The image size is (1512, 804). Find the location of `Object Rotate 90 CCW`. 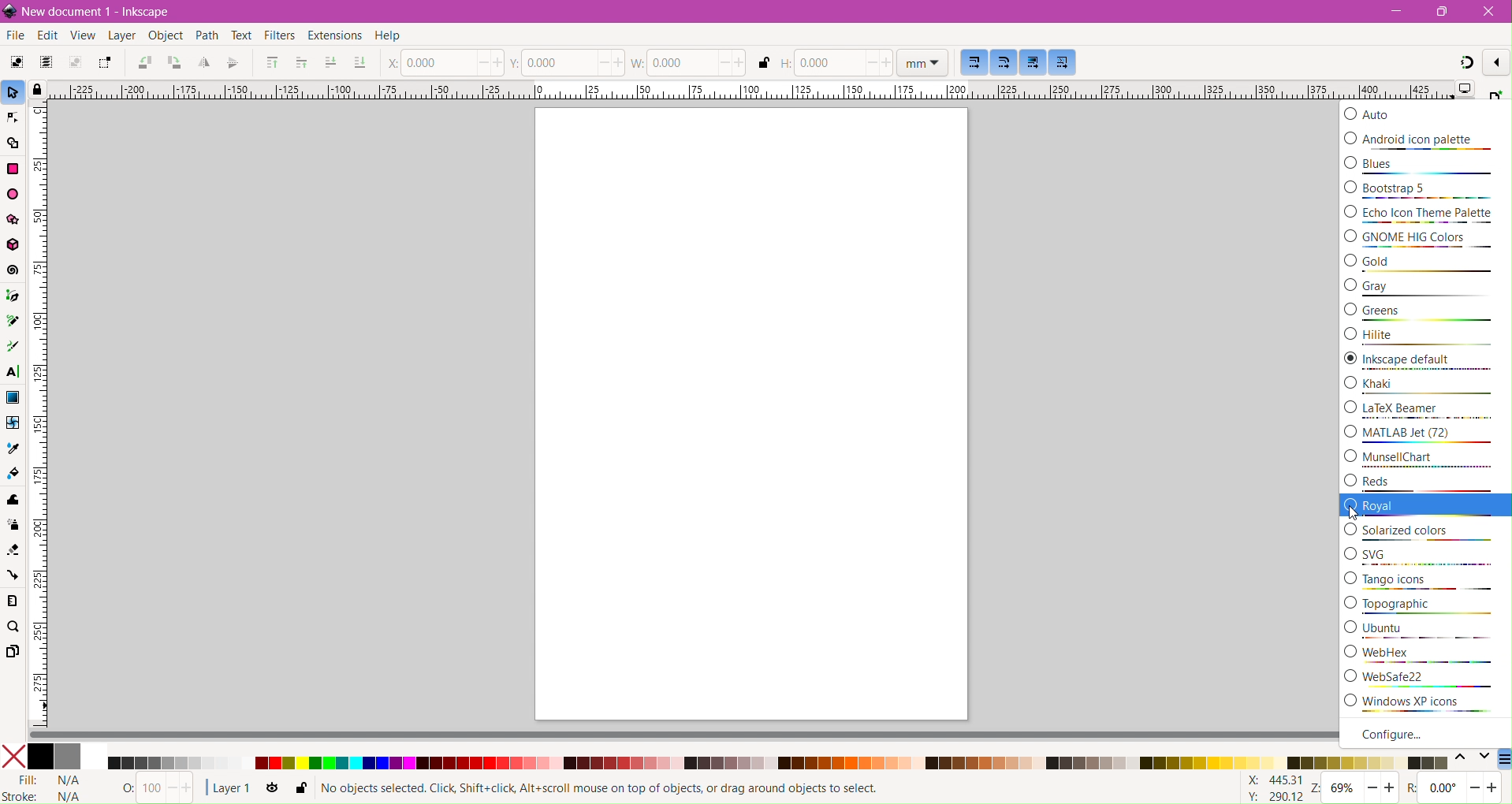

Object Rotate 90 CCW is located at coordinates (142, 64).